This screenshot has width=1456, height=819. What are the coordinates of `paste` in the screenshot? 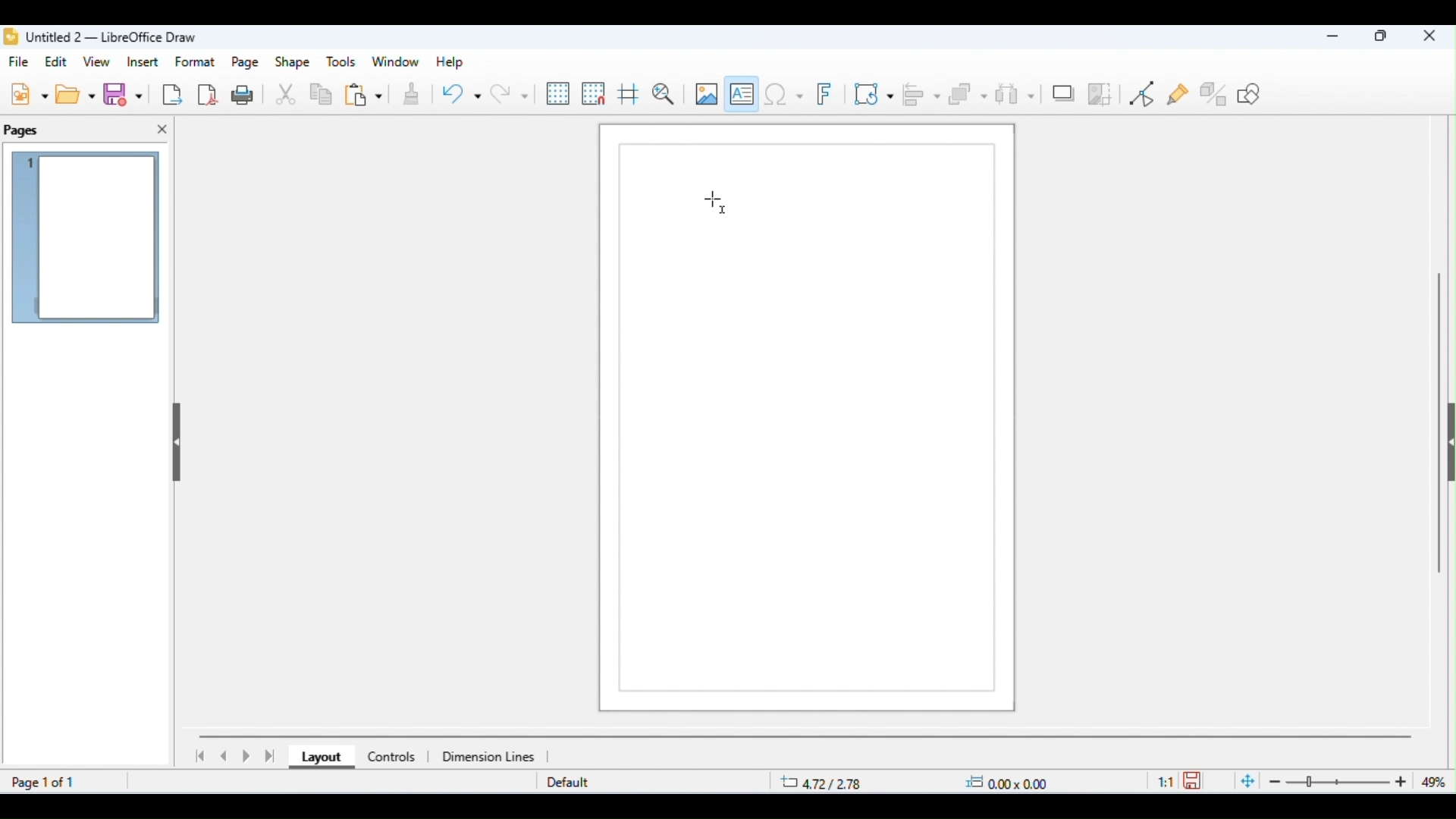 It's located at (363, 96).